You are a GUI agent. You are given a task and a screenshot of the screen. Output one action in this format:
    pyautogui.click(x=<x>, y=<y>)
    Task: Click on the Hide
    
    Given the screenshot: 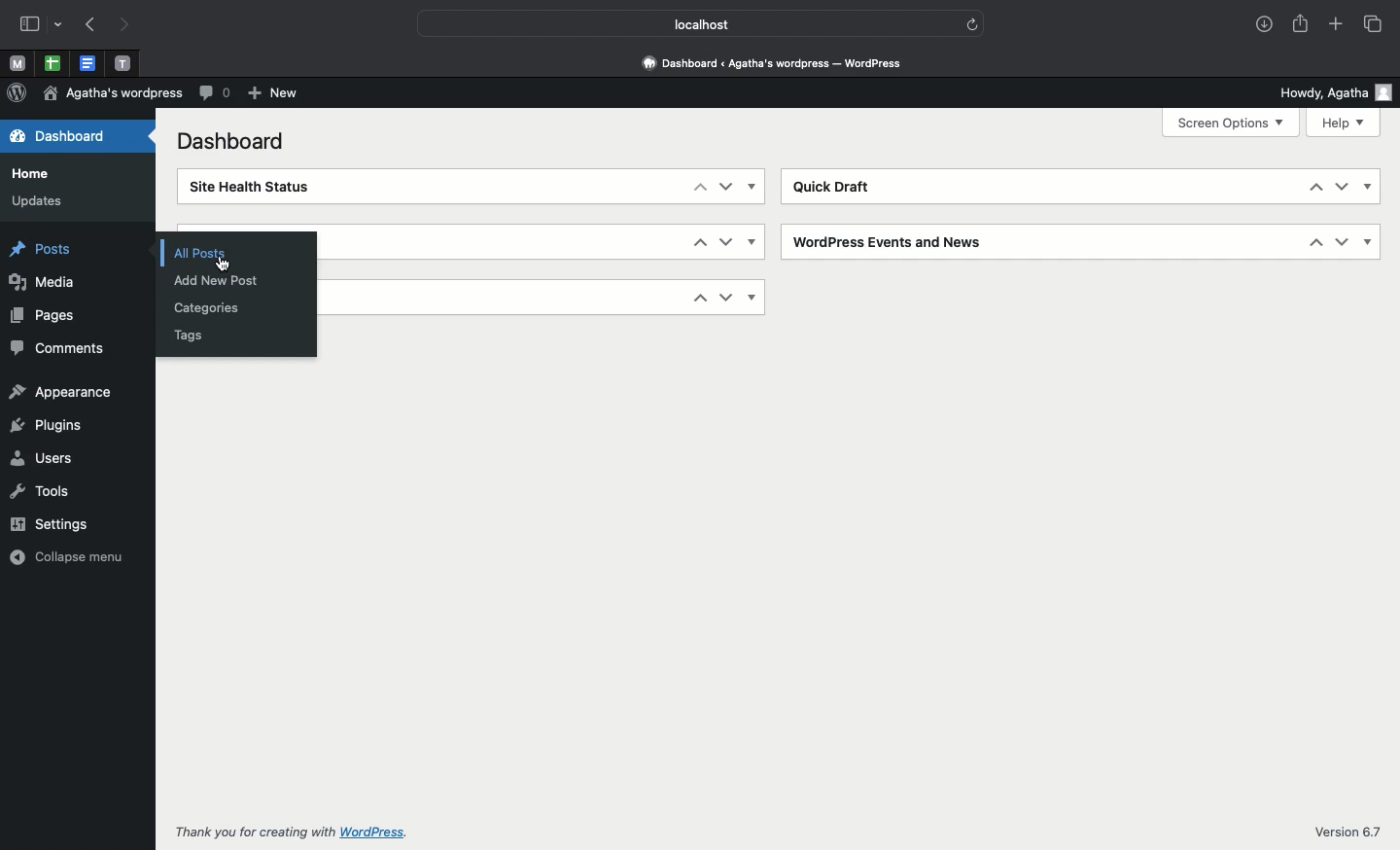 What is the action you would take?
    pyautogui.click(x=752, y=296)
    